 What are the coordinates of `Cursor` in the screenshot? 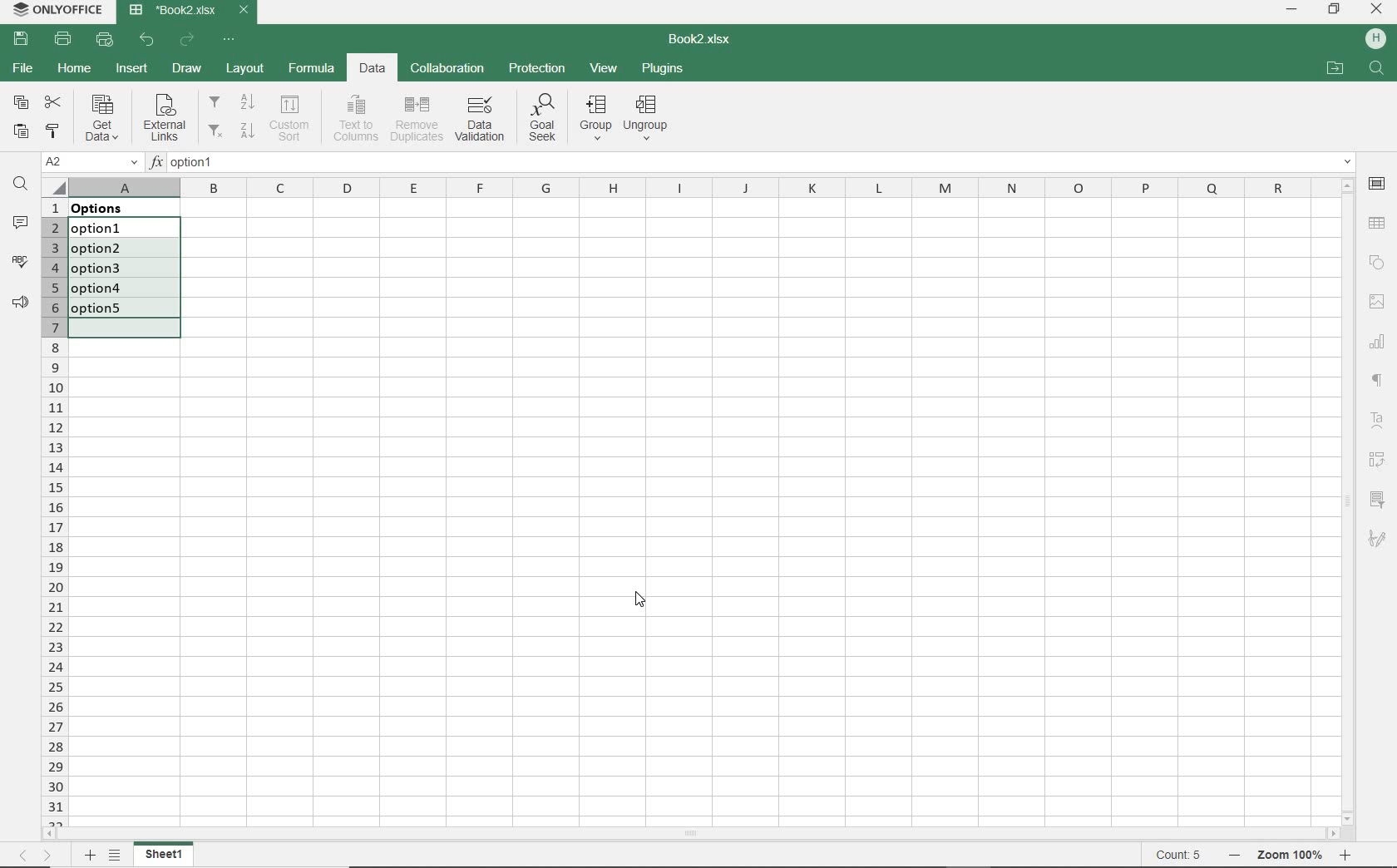 It's located at (639, 606).